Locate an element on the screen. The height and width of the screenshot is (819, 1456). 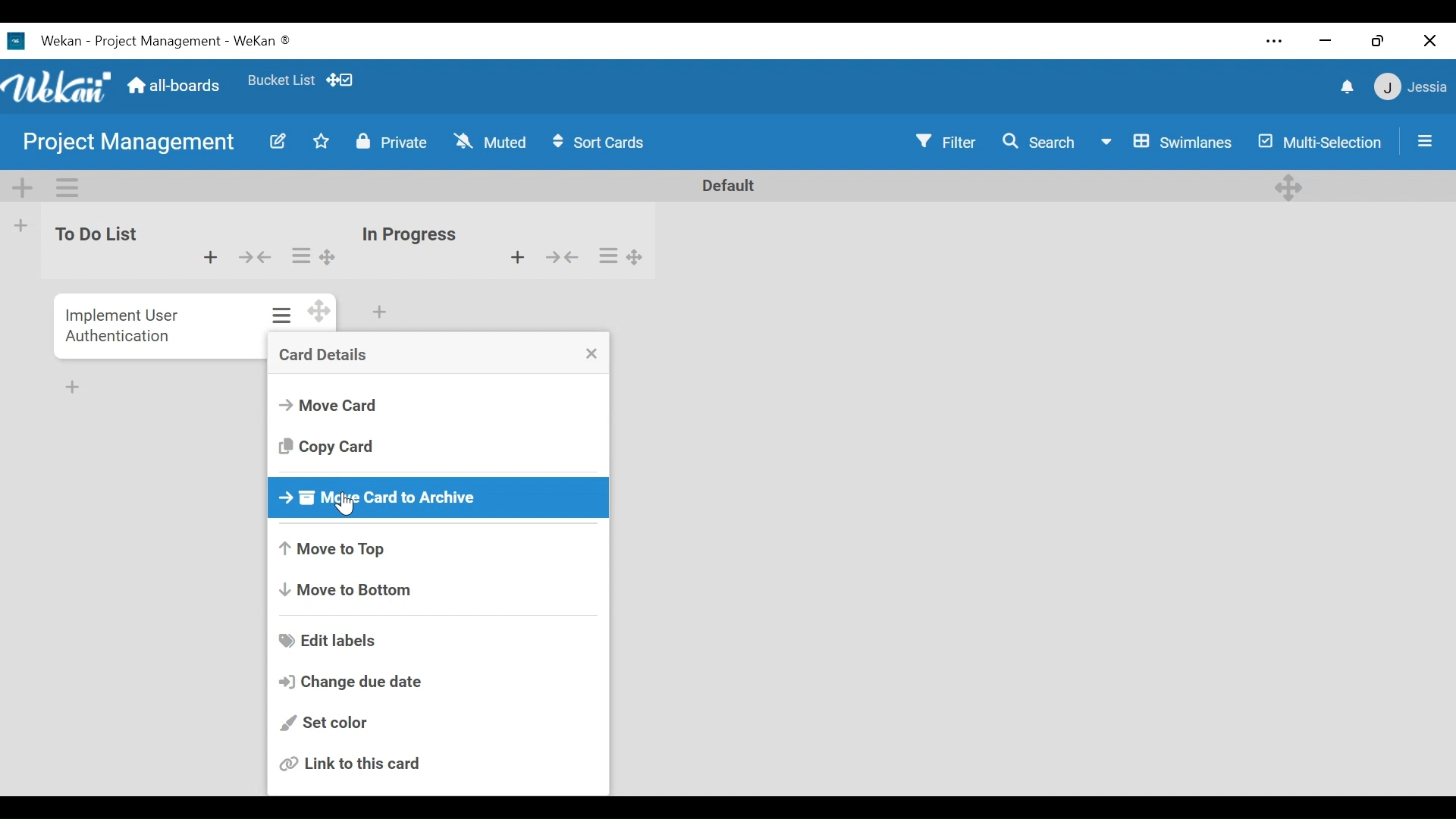
Member Settings is located at coordinates (1412, 87).